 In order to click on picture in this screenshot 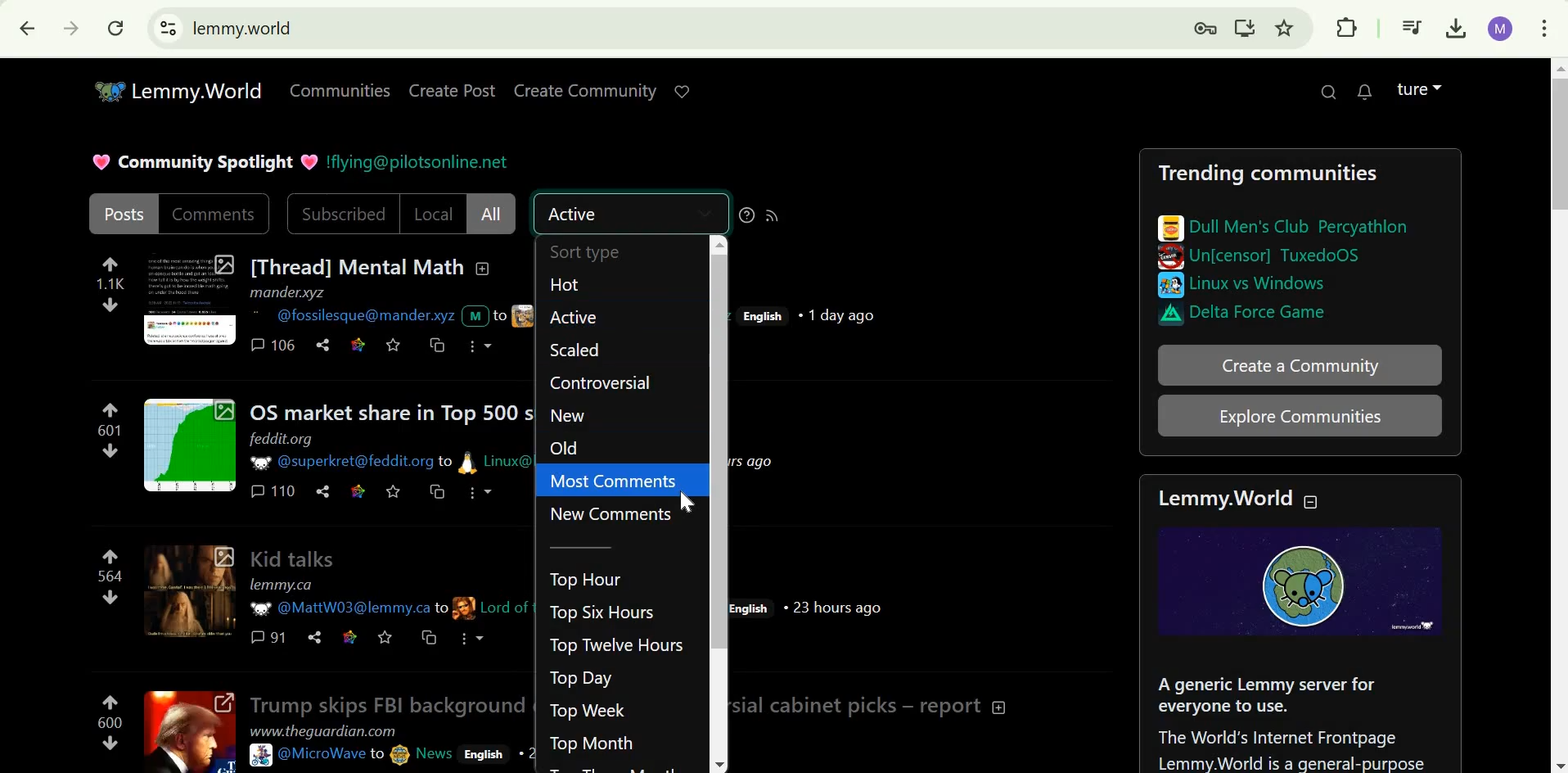, I will do `click(399, 753)`.